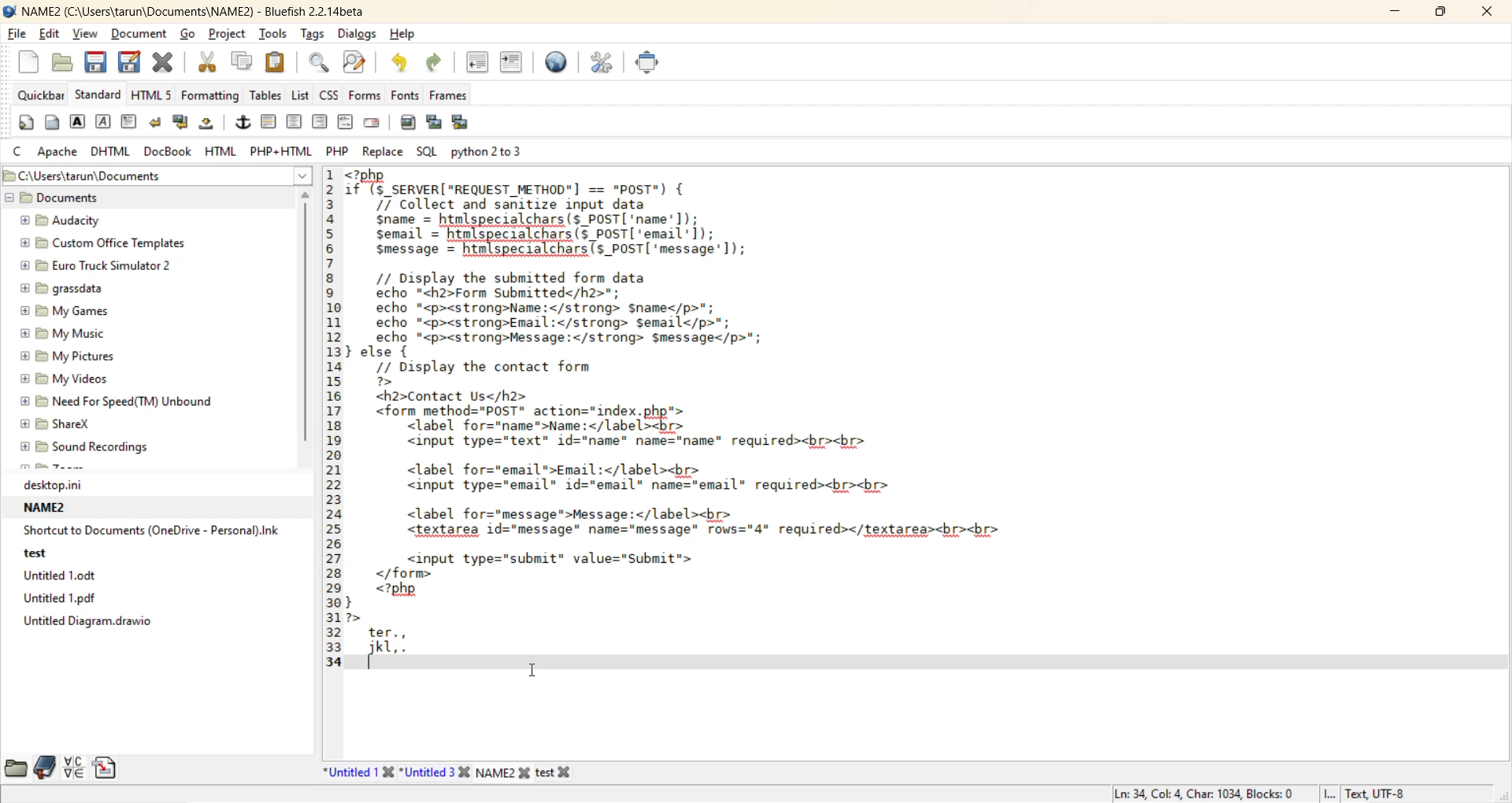  What do you see at coordinates (220, 151) in the screenshot?
I see `html` at bounding box center [220, 151].